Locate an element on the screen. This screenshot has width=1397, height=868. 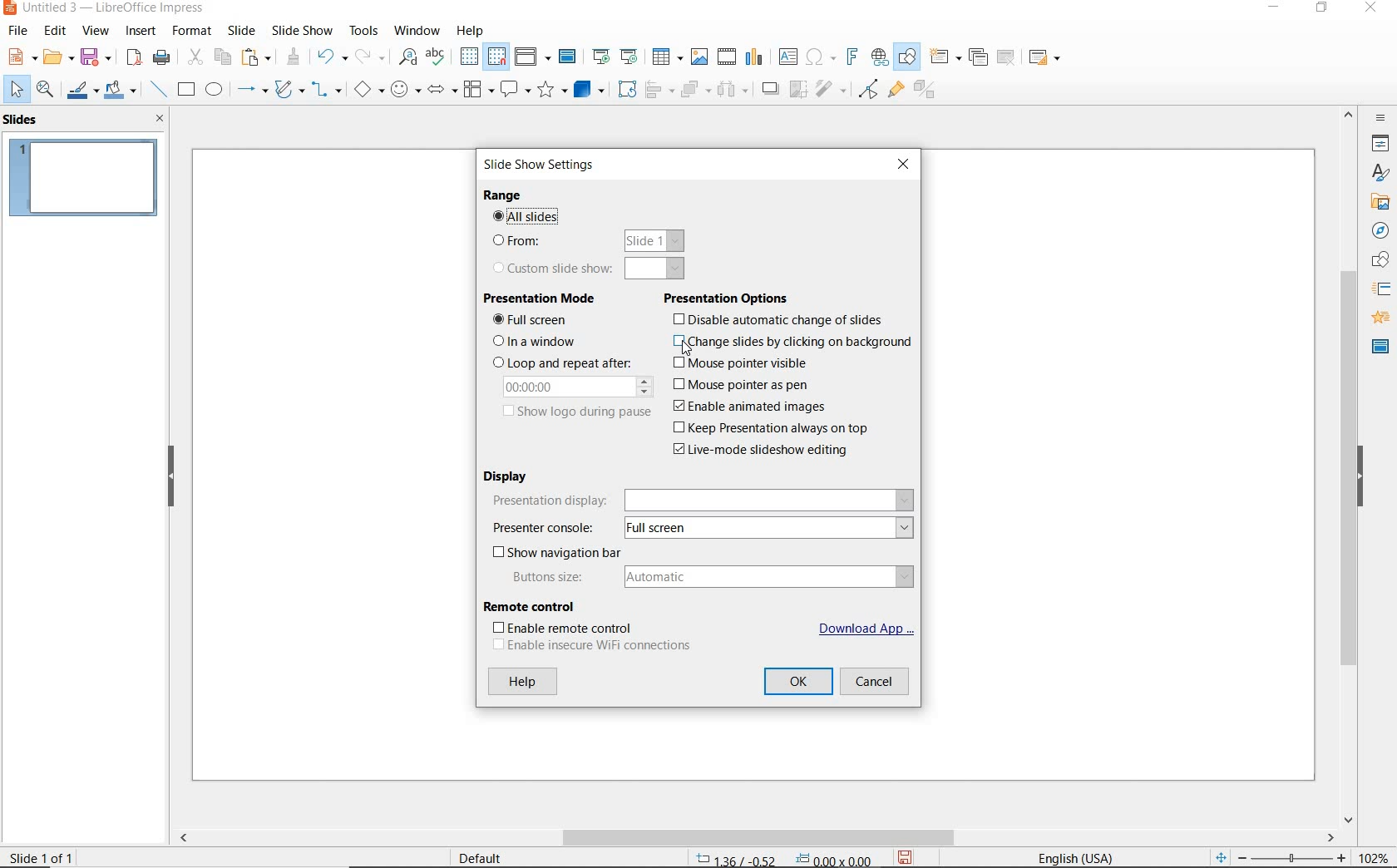
FULL SCREEN is located at coordinates (530, 321).